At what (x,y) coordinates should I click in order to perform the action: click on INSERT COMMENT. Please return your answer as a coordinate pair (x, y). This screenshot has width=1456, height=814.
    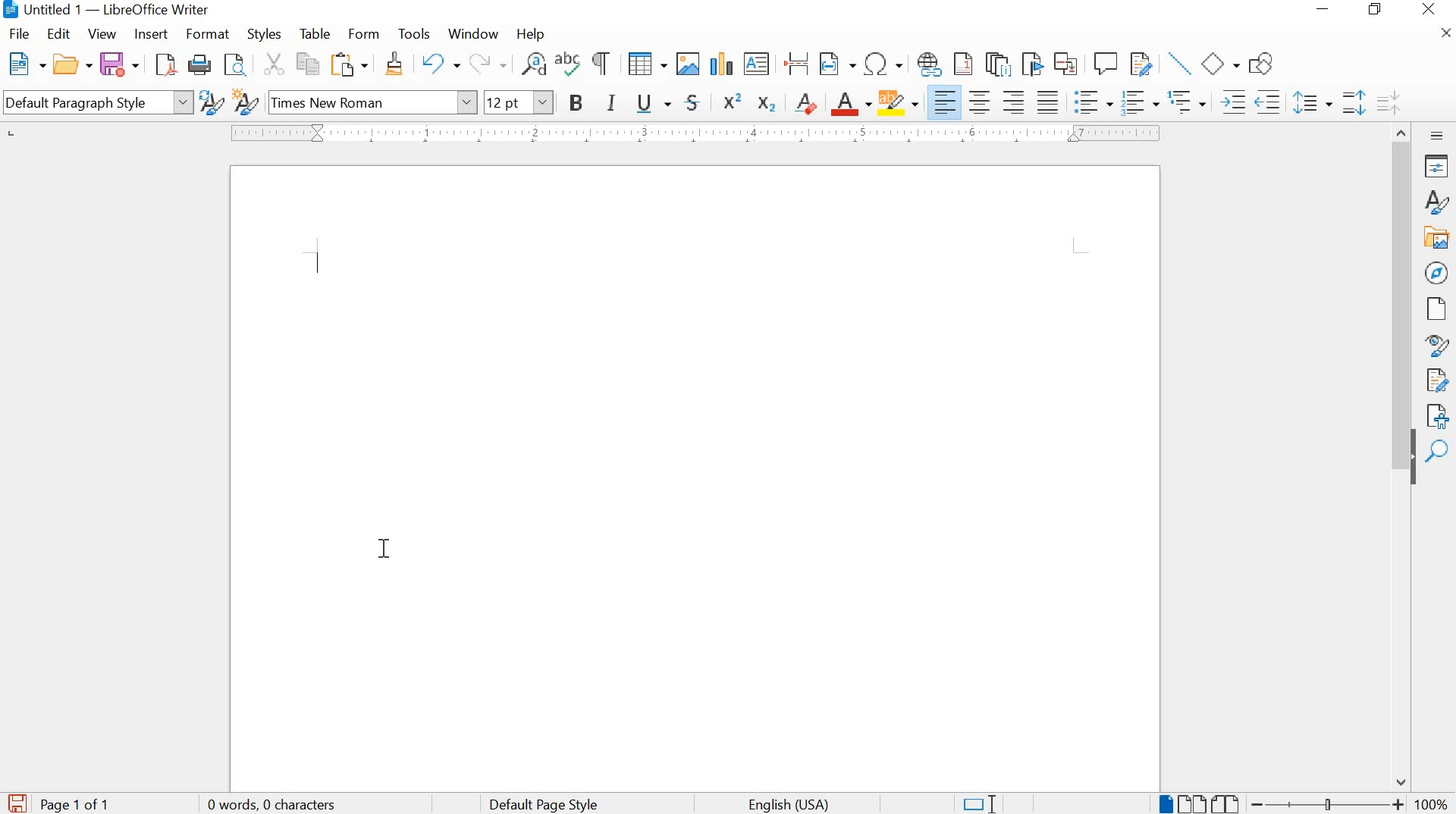
    Looking at the image, I should click on (1106, 64).